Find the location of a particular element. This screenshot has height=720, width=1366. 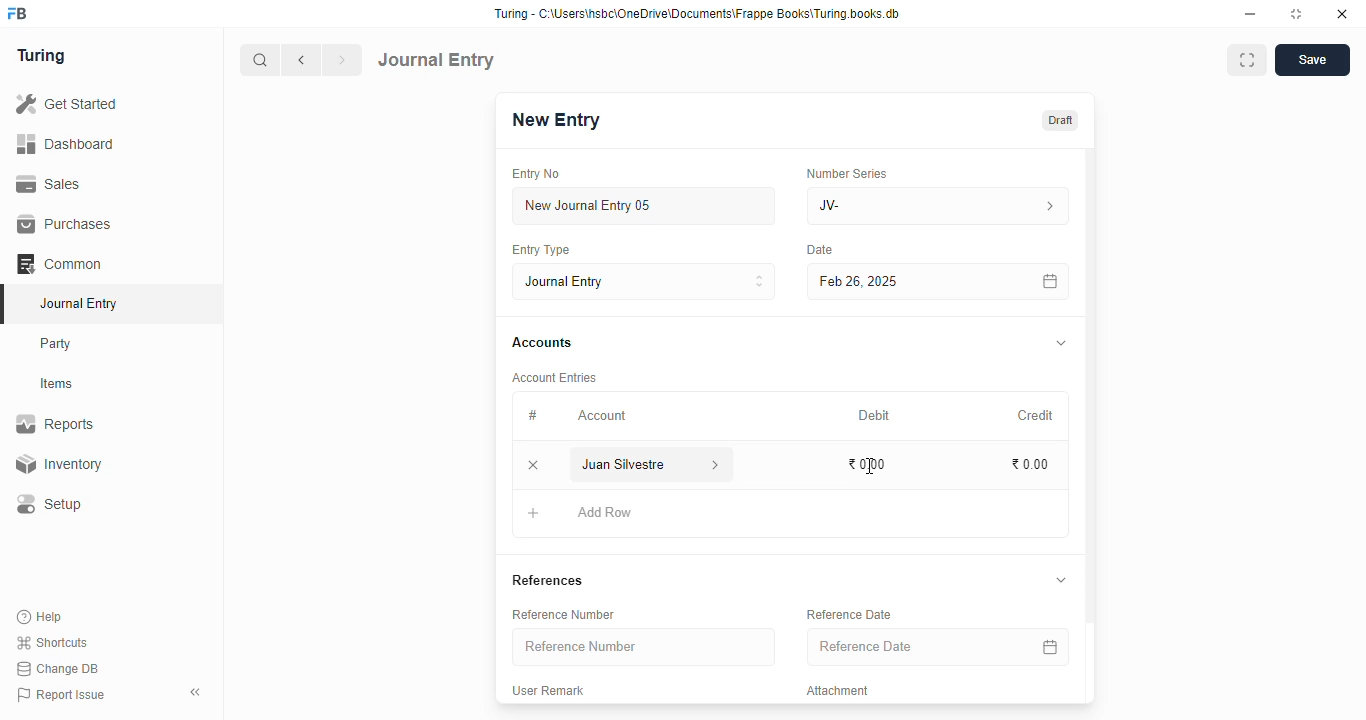

toggle between form and full width is located at coordinates (1246, 60).